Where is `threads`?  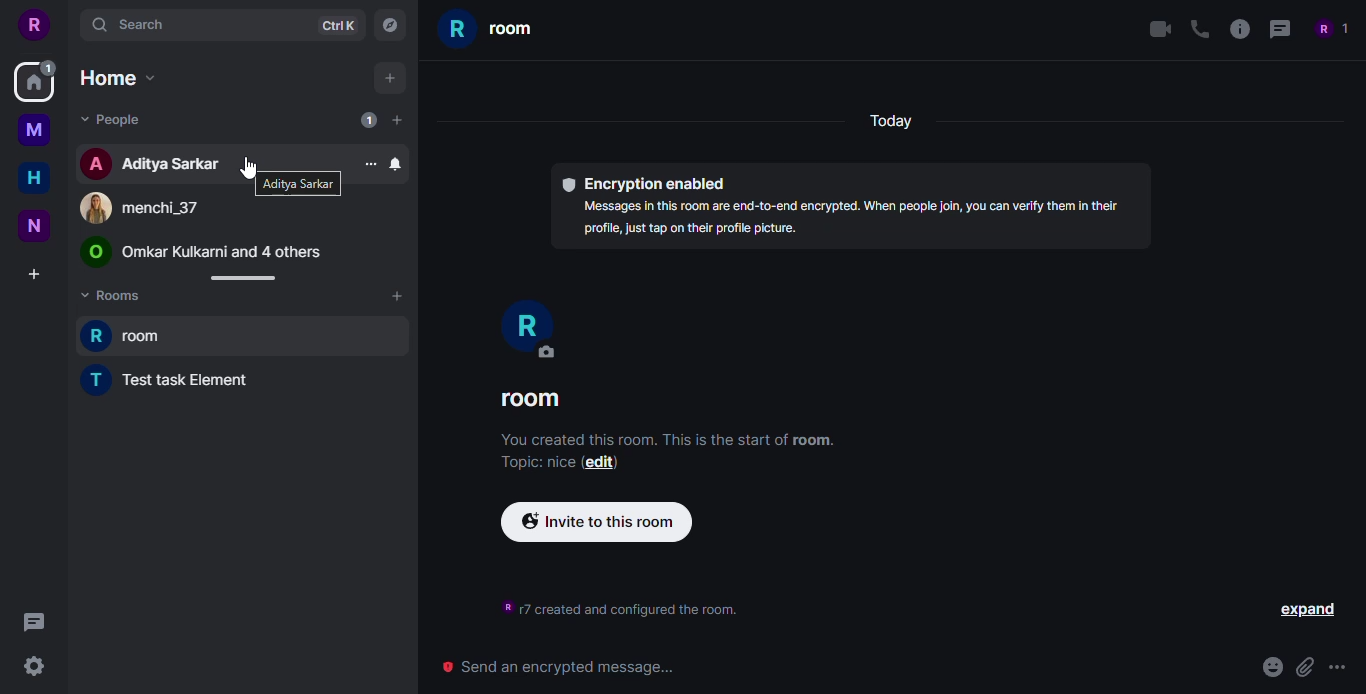
threads is located at coordinates (33, 623).